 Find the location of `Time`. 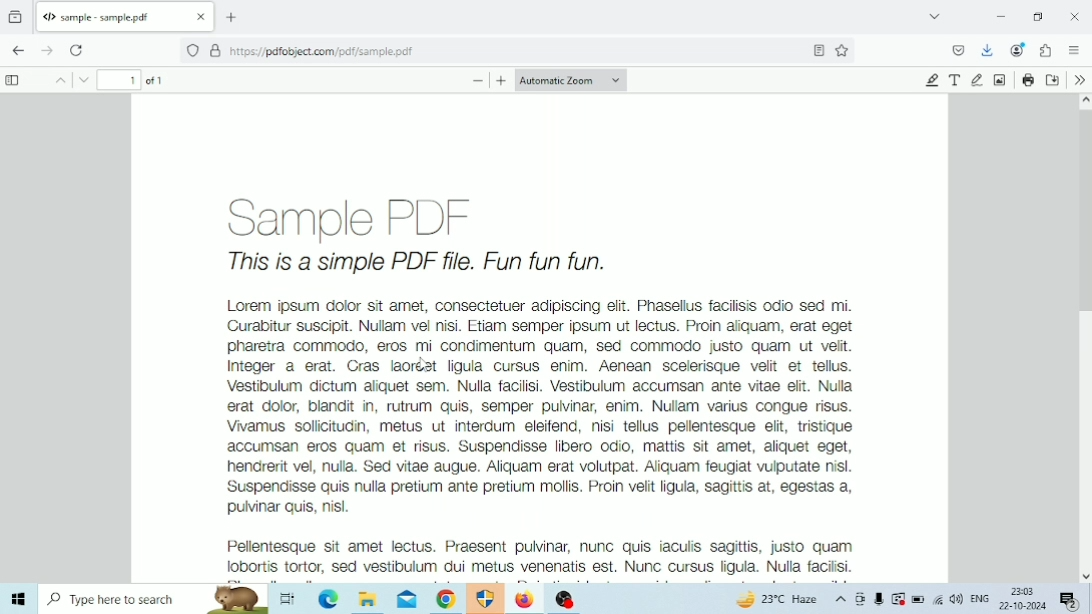

Time is located at coordinates (1021, 591).